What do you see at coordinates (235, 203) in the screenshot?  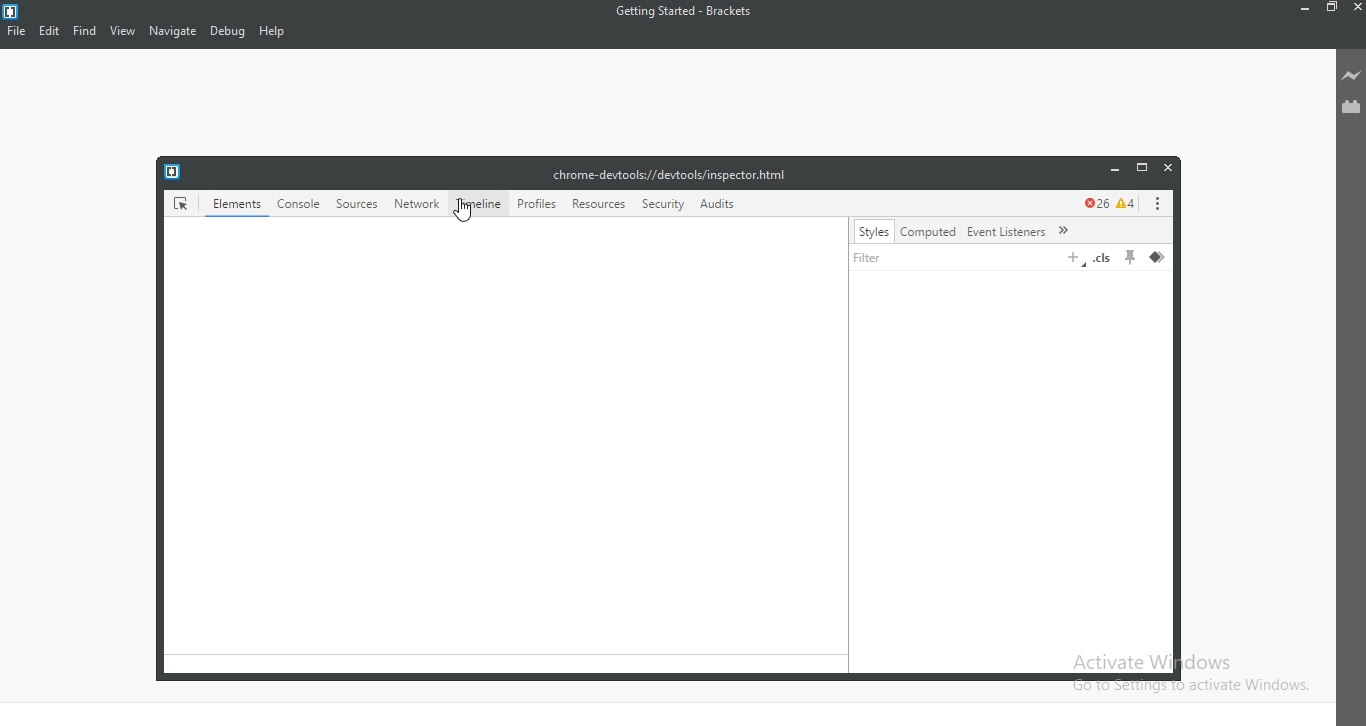 I see `Elements` at bounding box center [235, 203].